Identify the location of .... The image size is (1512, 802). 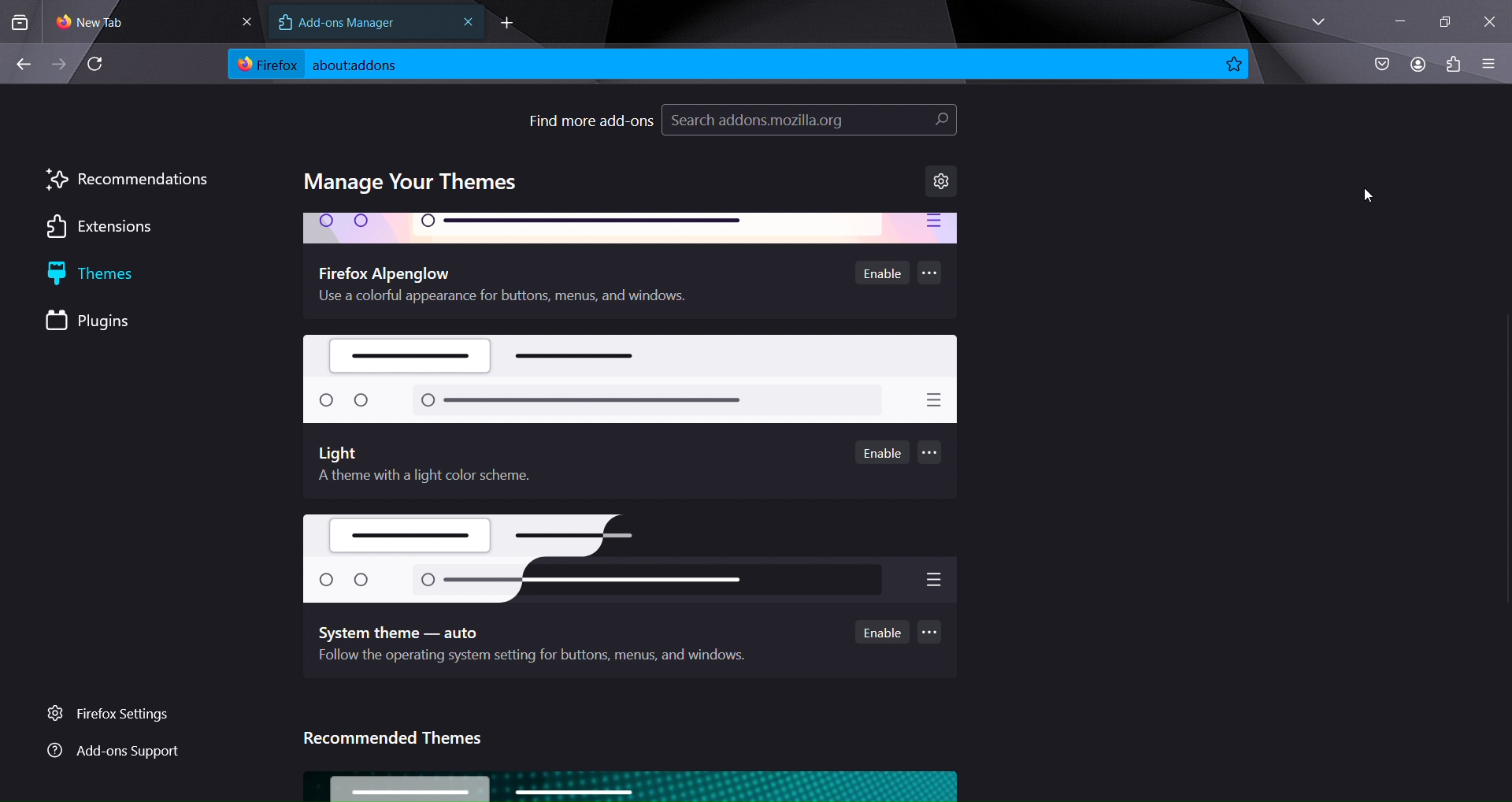
(930, 272).